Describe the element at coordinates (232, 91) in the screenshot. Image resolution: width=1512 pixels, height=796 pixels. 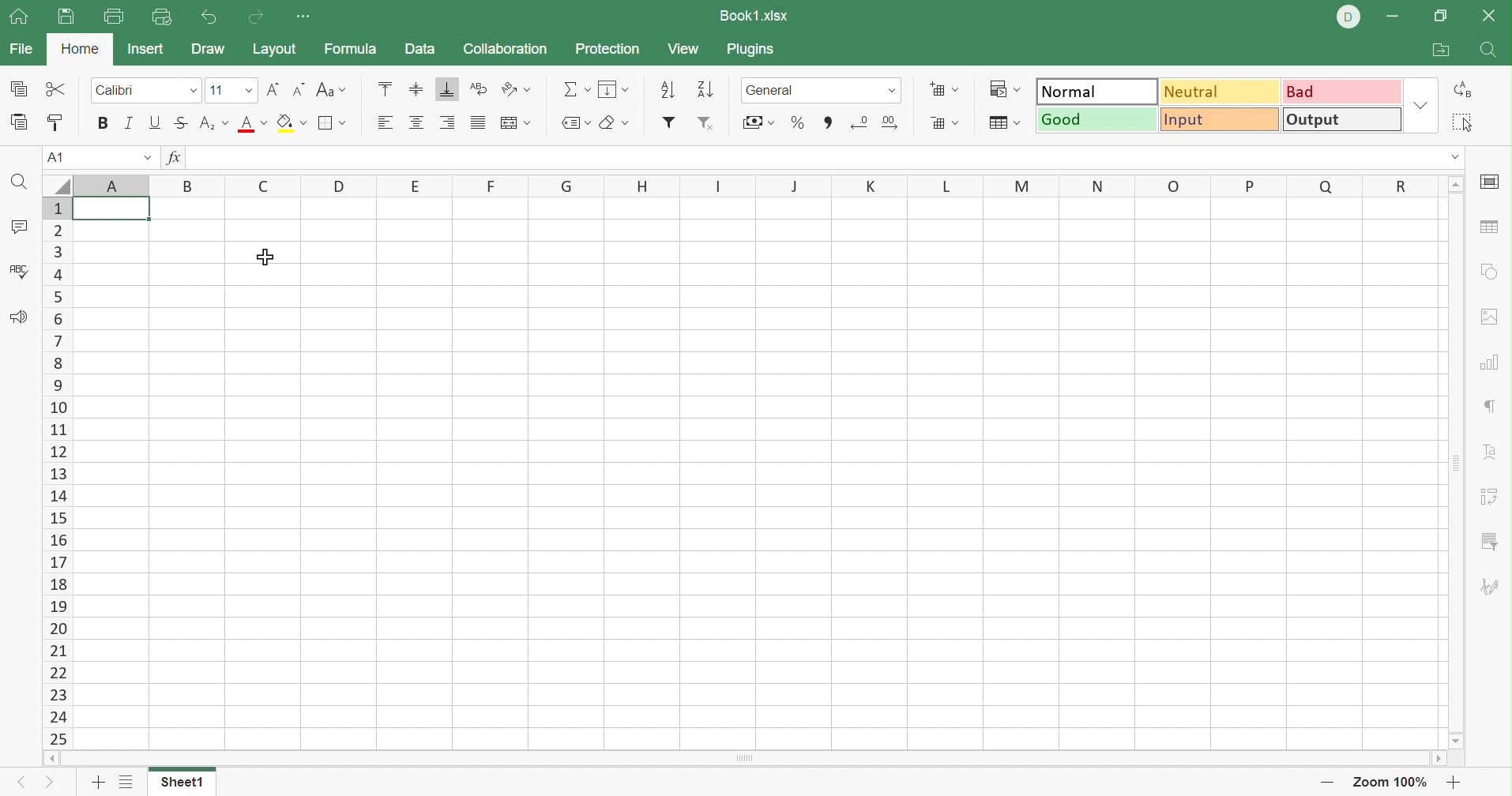
I see `Font size` at that location.